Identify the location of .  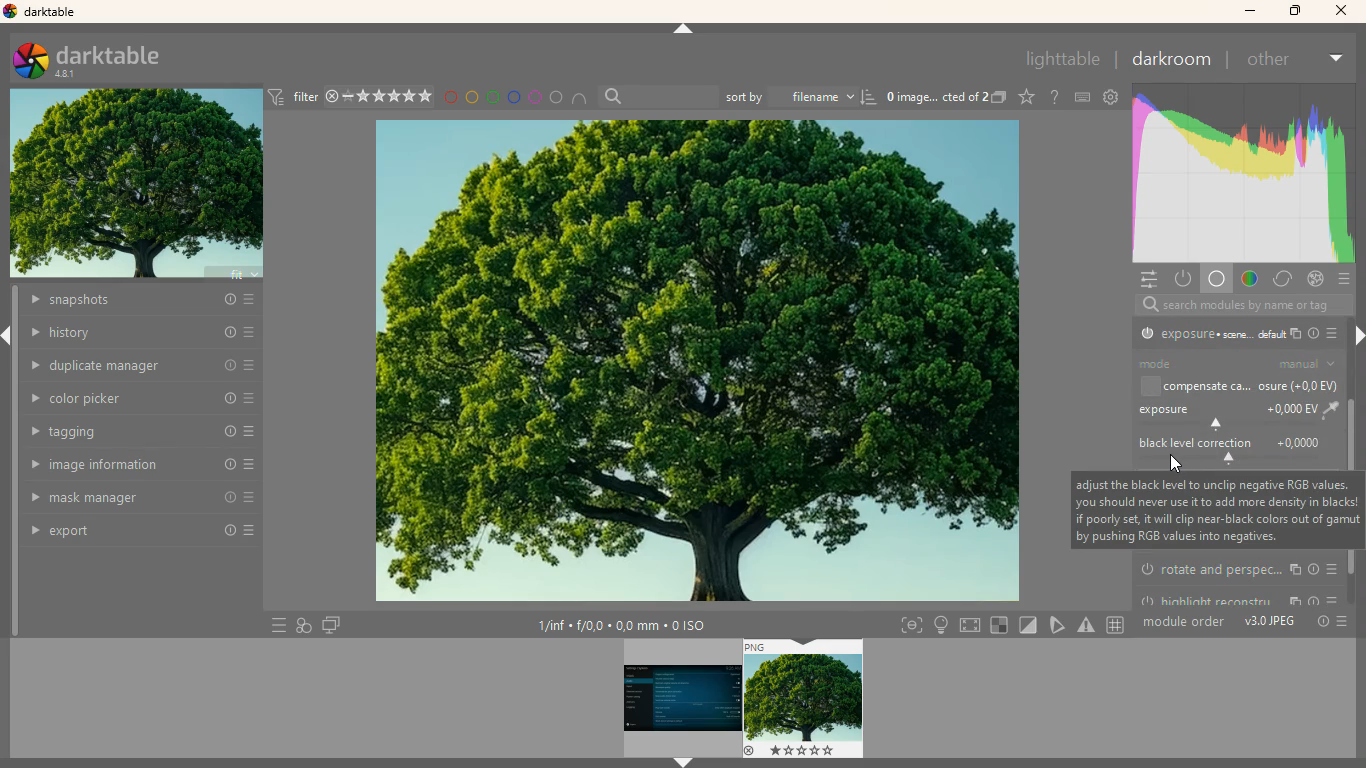
(137, 298).